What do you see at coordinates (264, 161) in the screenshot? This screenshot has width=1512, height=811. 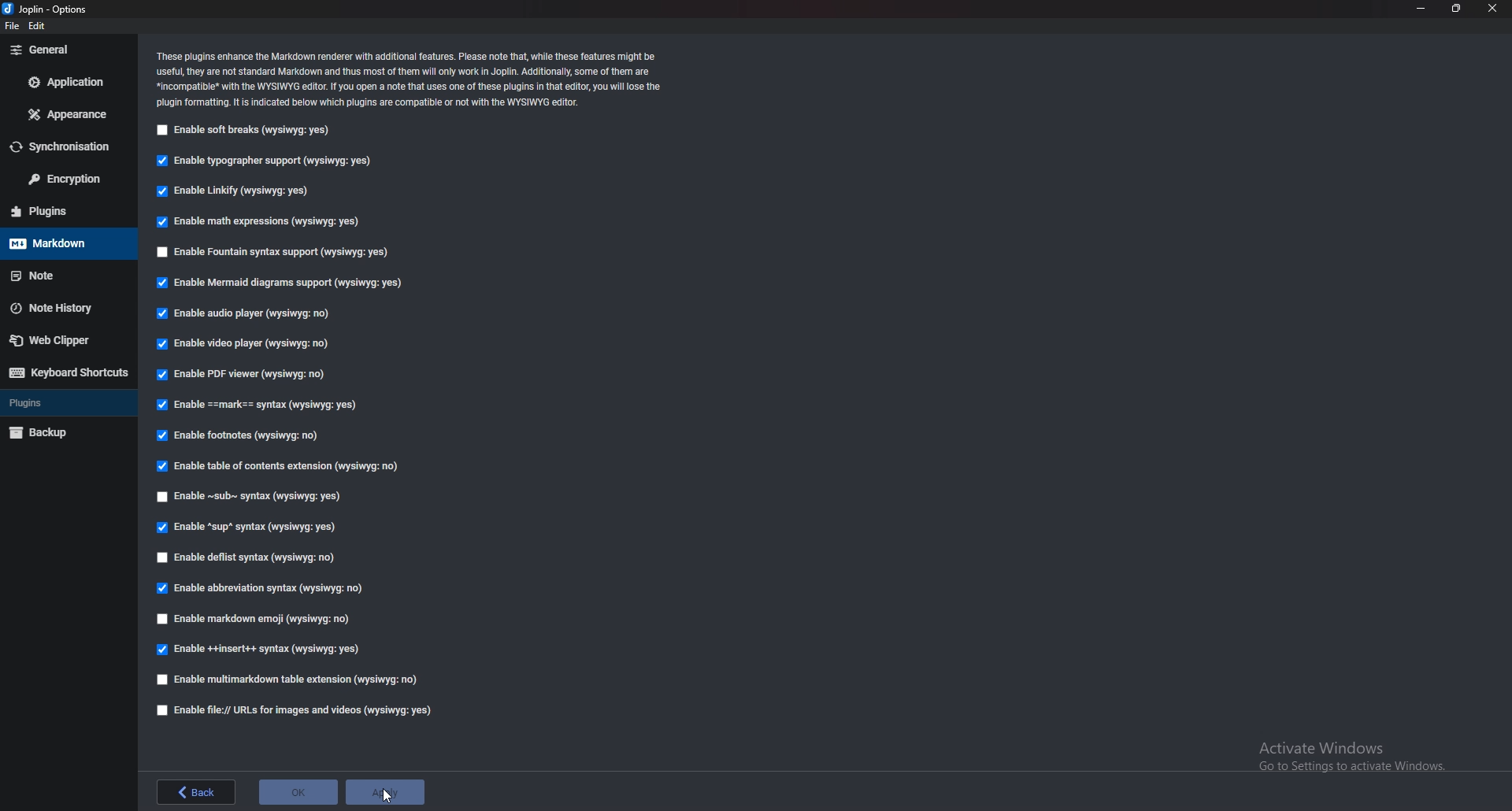 I see `enable typographer support` at bounding box center [264, 161].